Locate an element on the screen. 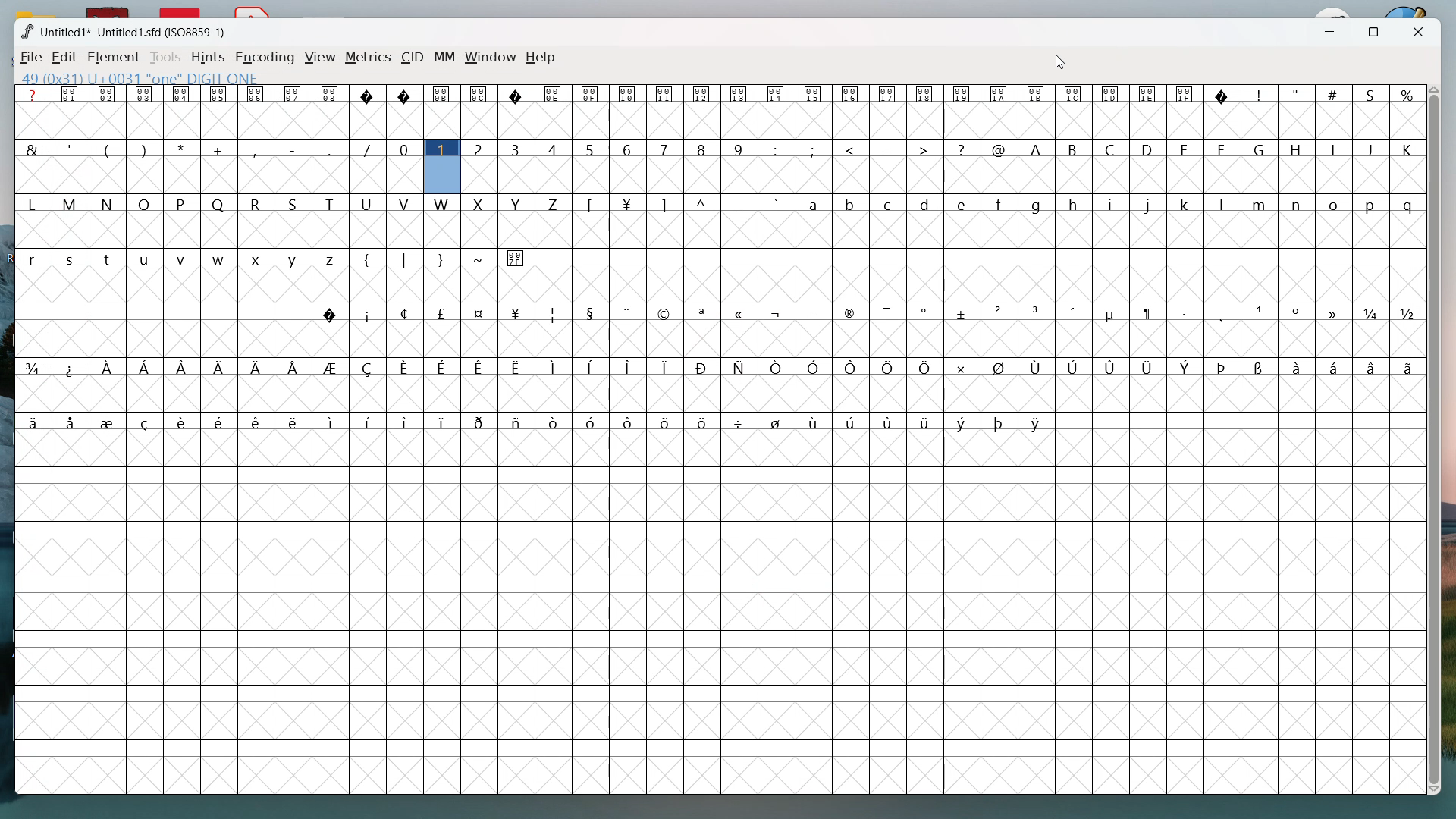  k is located at coordinates (1187, 203).